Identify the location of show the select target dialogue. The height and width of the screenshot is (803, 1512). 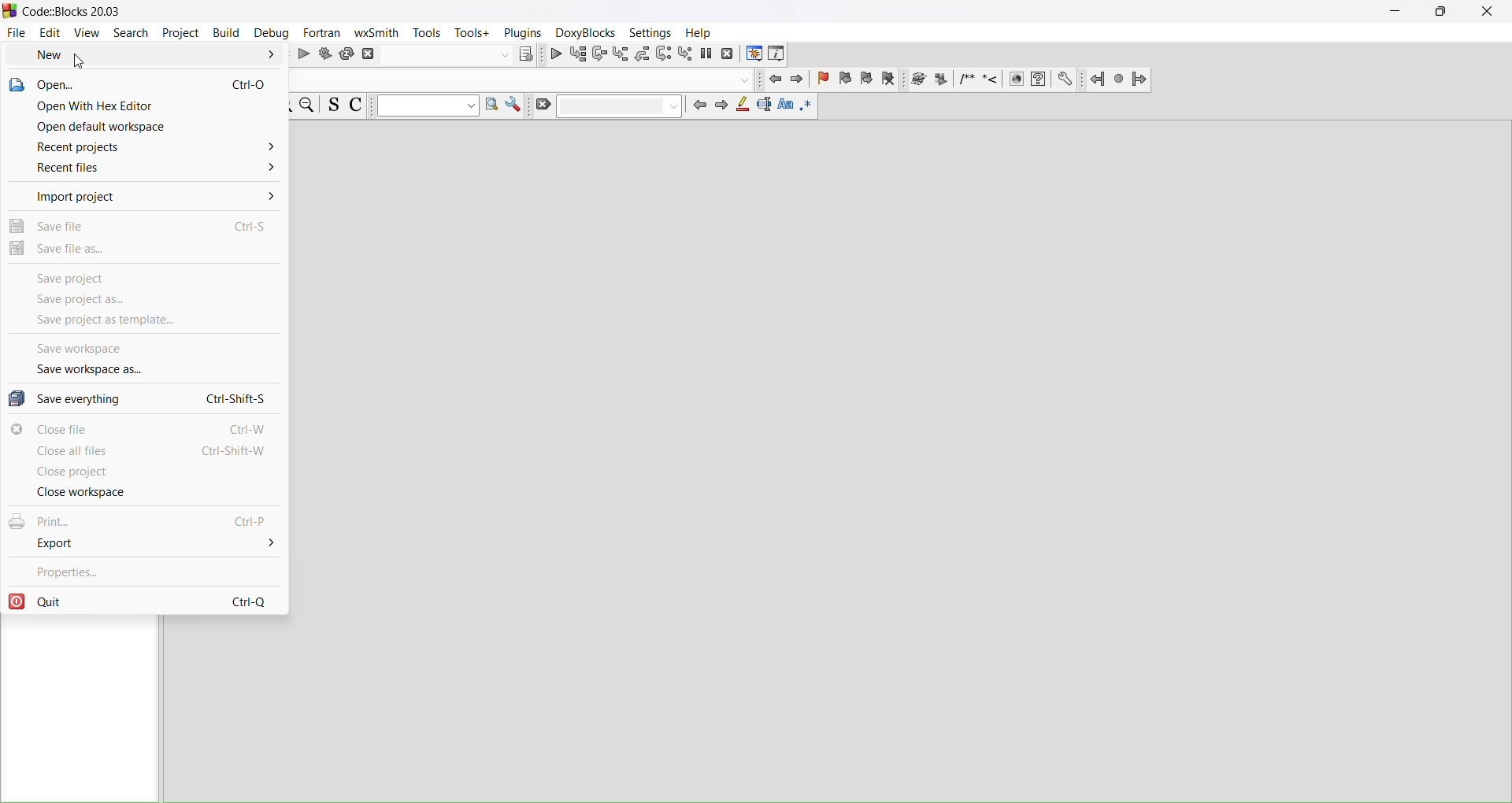
(461, 55).